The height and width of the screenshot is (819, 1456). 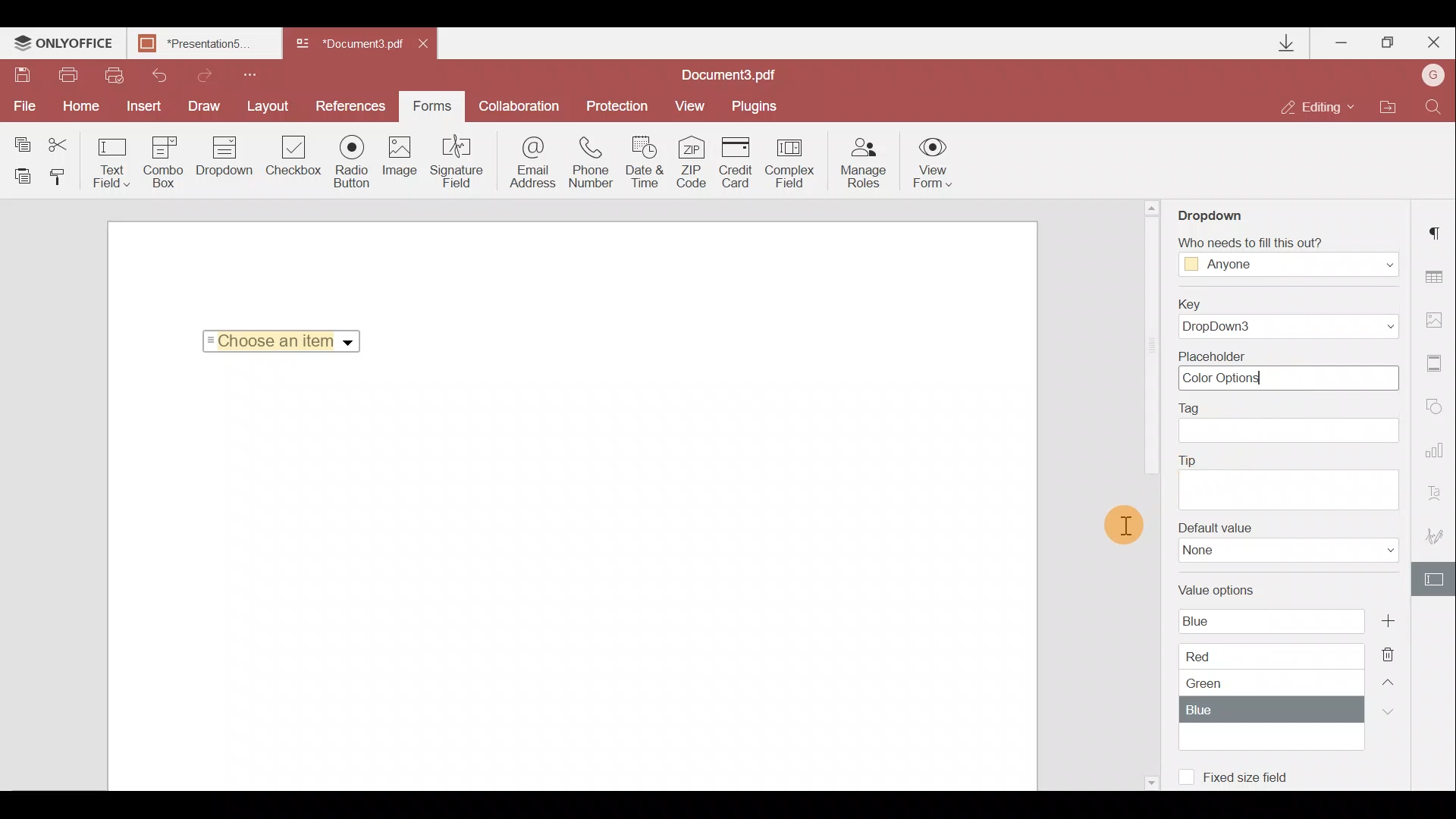 What do you see at coordinates (459, 165) in the screenshot?
I see `Signature field` at bounding box center [459, 165].